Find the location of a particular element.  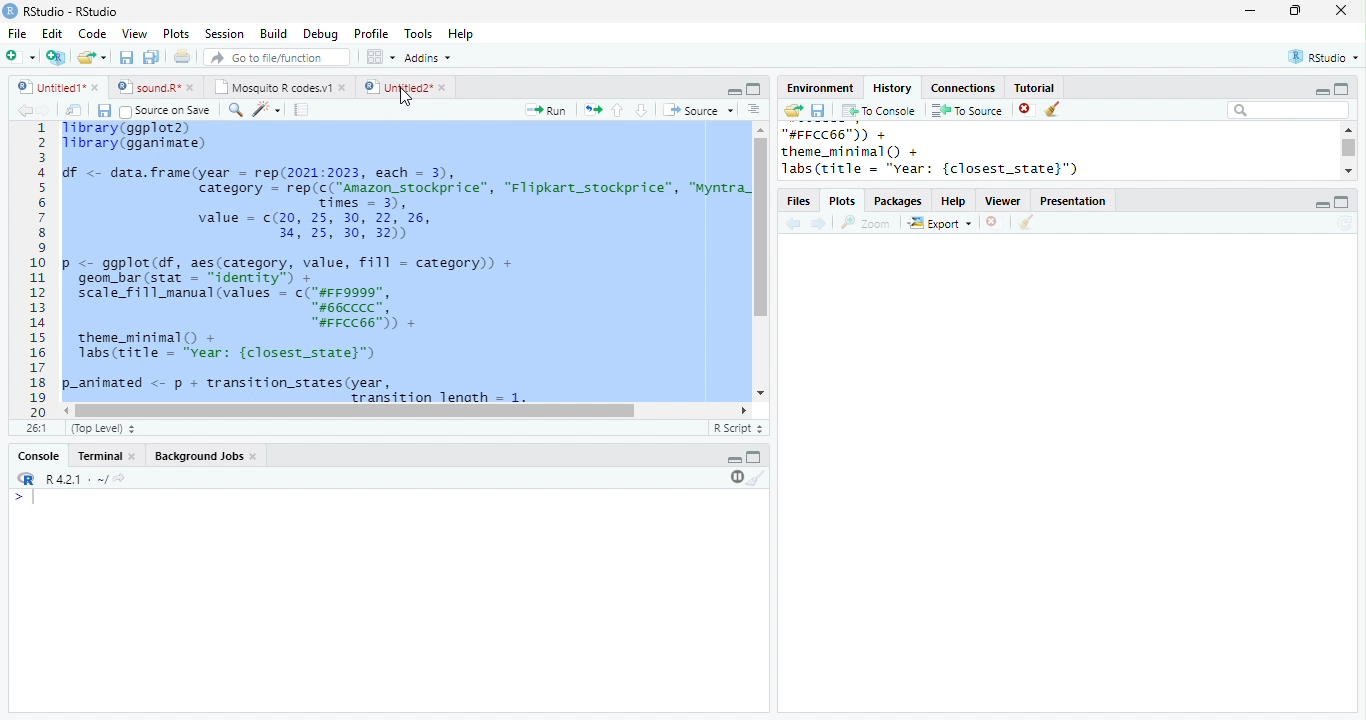

R.4.2.1 . ~ is located at coordinates (75, 478).